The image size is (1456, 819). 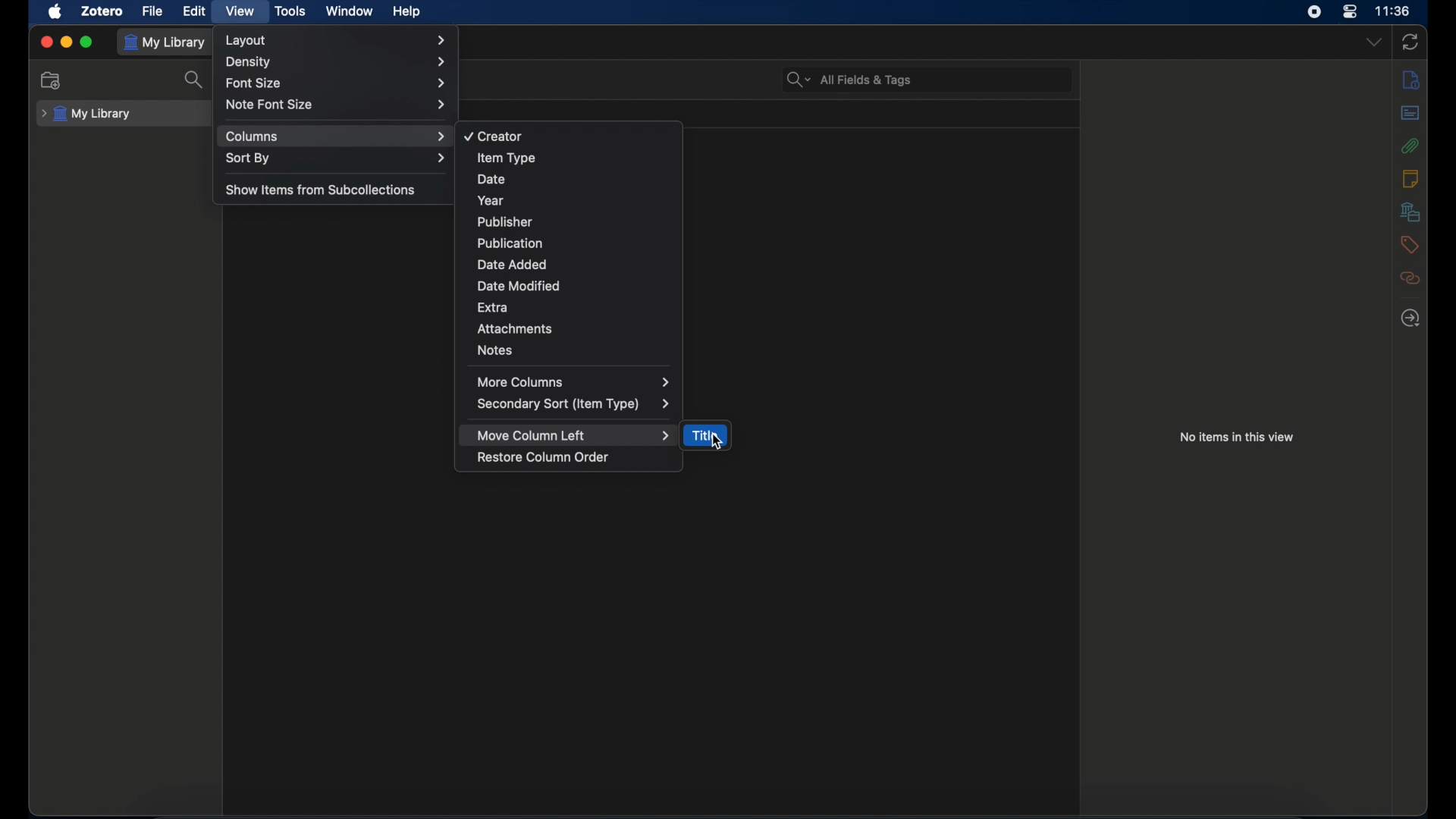 I want to click on minimize, so click(x=67, y=42).